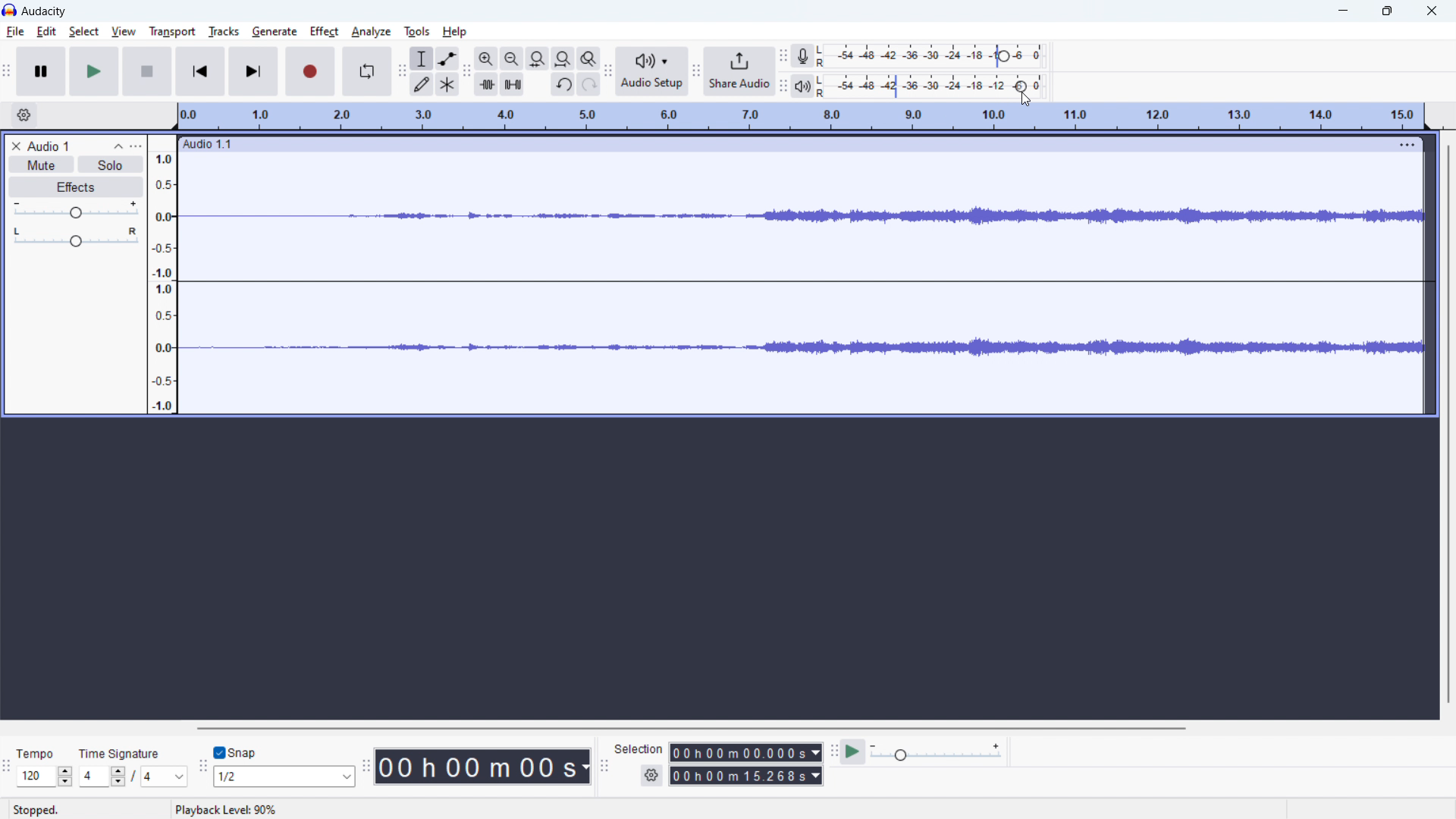 This screenshot has height=819, width=1456. I want to click on audio setup, so click(652, 72).